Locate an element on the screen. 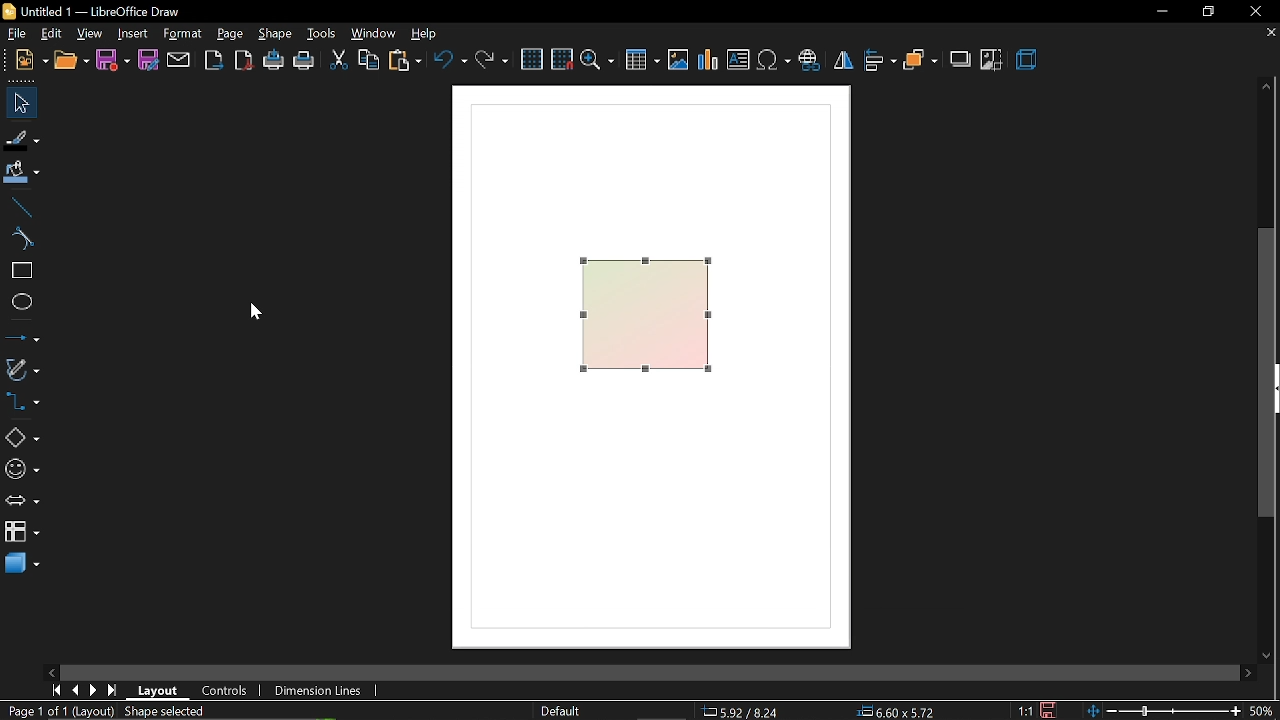 The image size is (1280, 720). Connector is located at coordinates (21, 404).